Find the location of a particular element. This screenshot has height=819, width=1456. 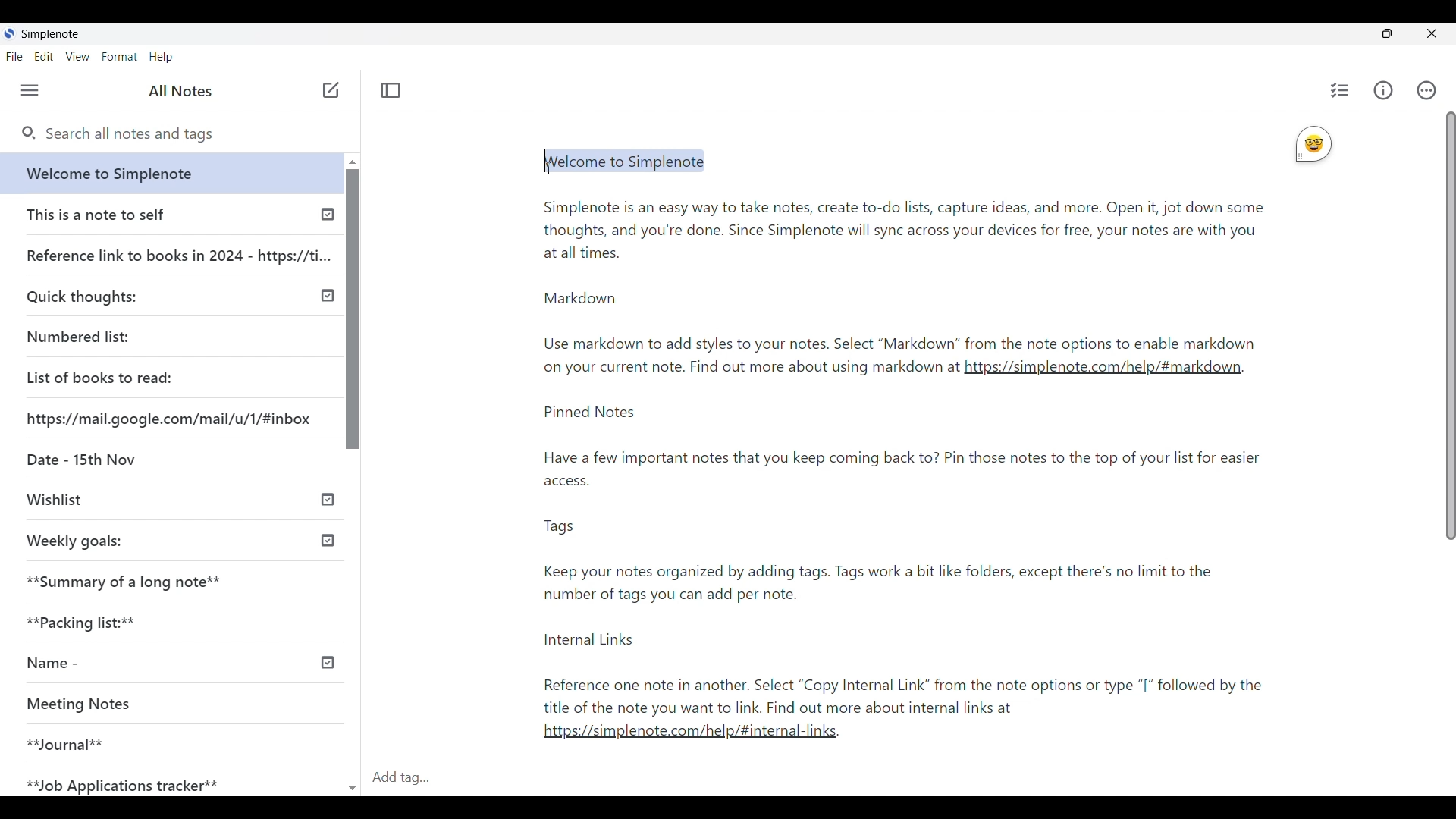

cursor is located at coordinates (548, 168).